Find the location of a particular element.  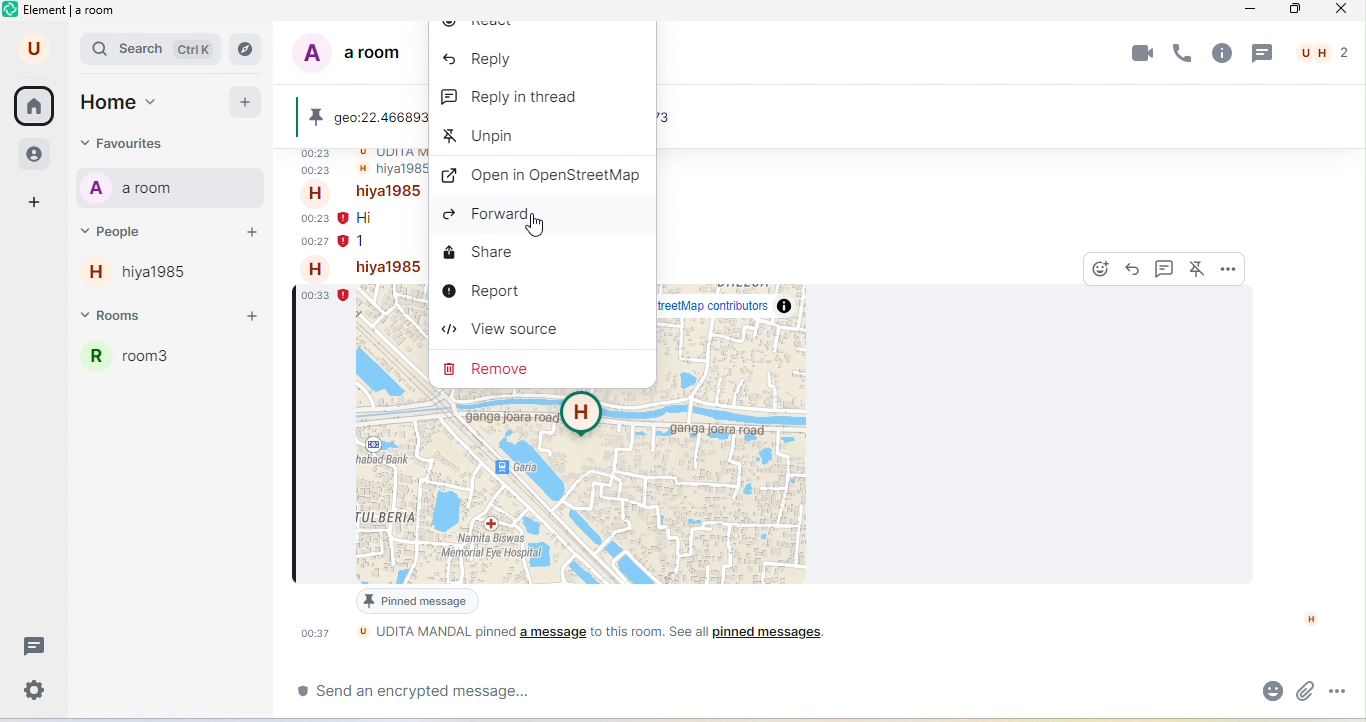

threads is located at coordinates (1265, 54).